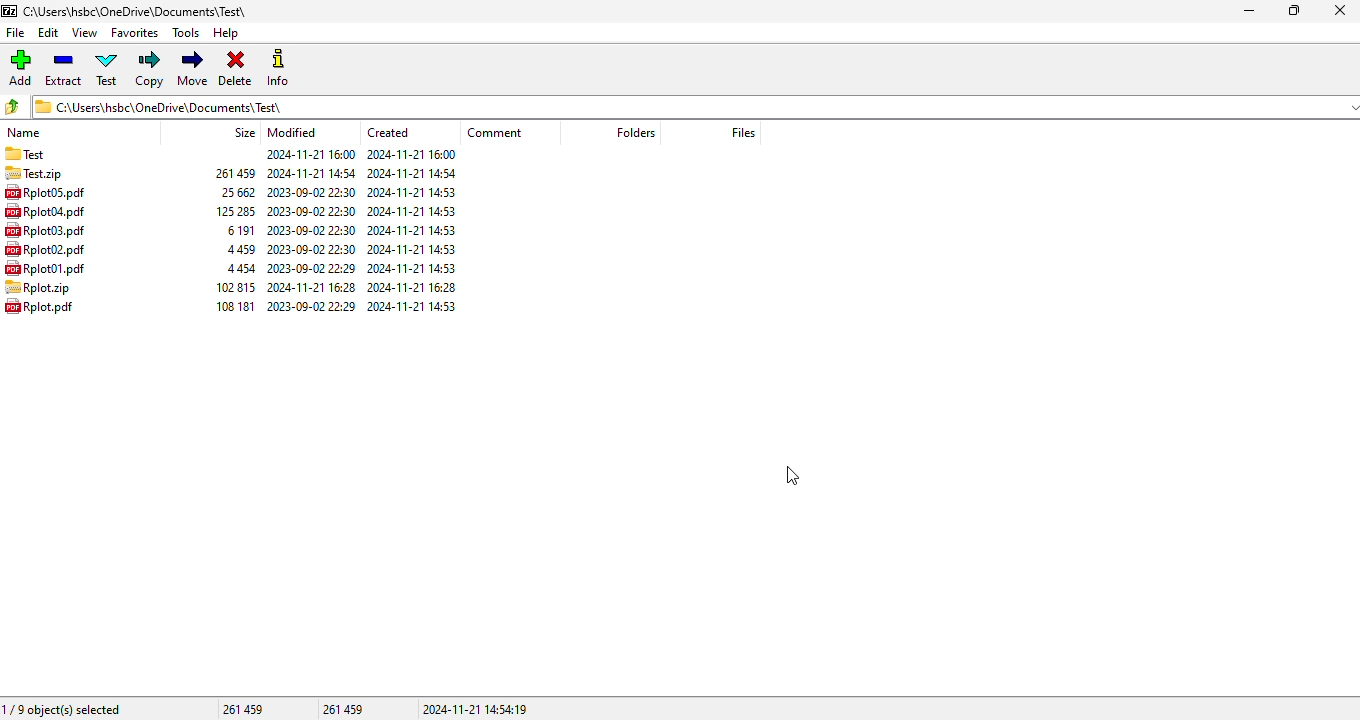 Image resolution: width=1360 pixels, height=720 pixels. I want to click on archive copied to another folder, so click(34, 173).